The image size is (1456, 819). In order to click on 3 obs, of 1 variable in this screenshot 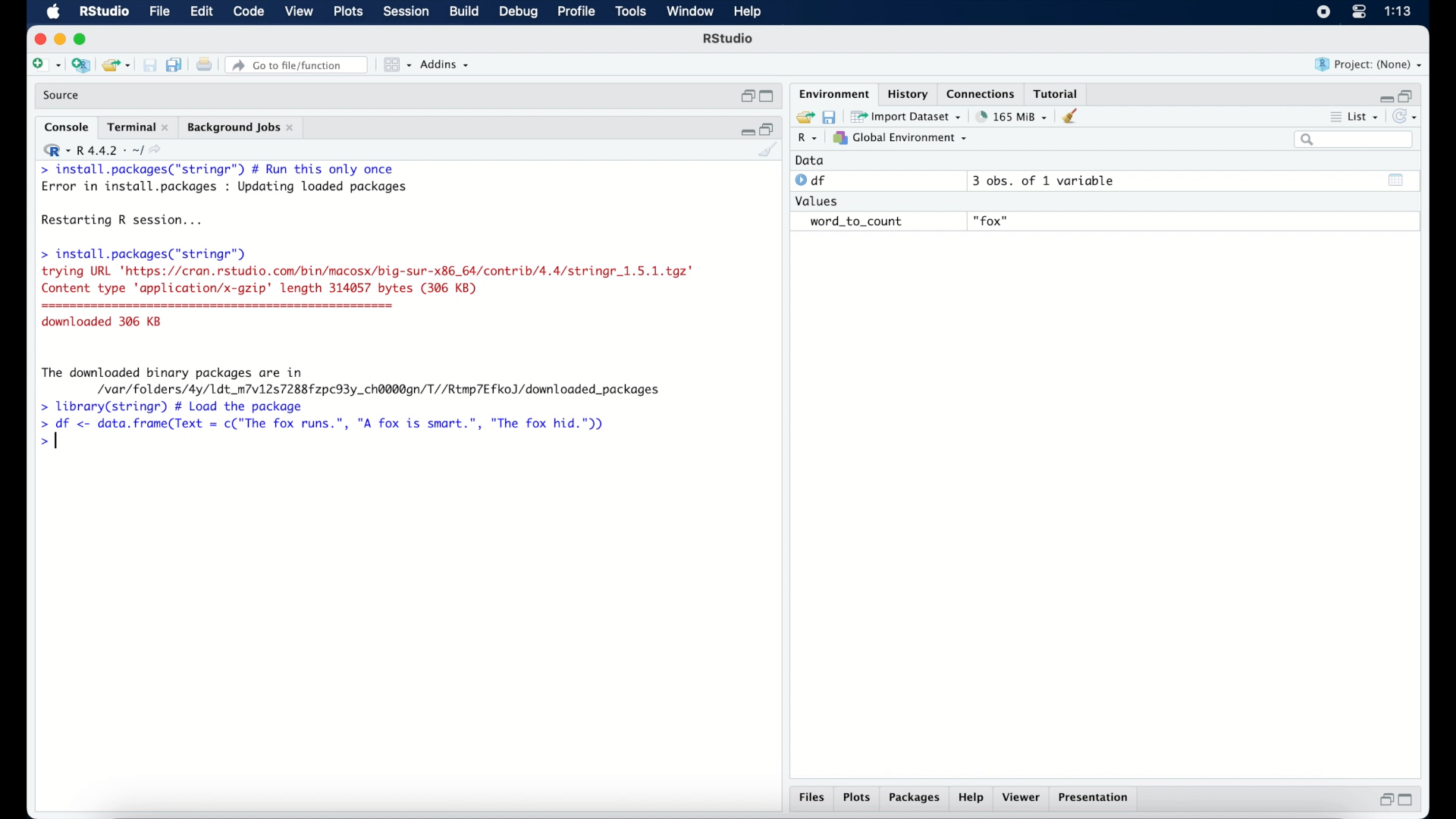, I will do `click(1050, 180)`.